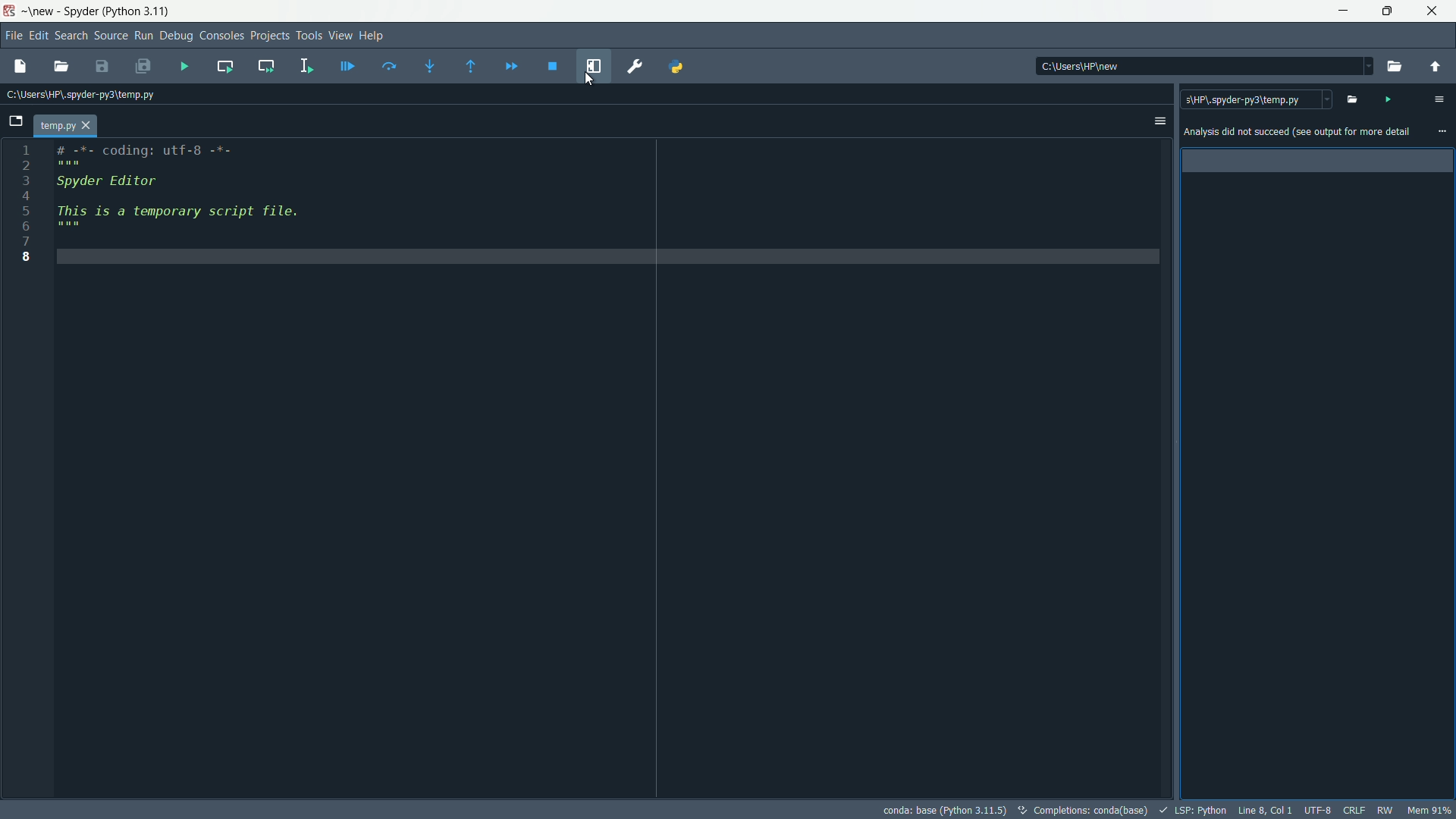 This screenshot has height=819, width=1456. Describe the element at coordinates (1436, 11) in the screenshot. I see `close app` at that location.